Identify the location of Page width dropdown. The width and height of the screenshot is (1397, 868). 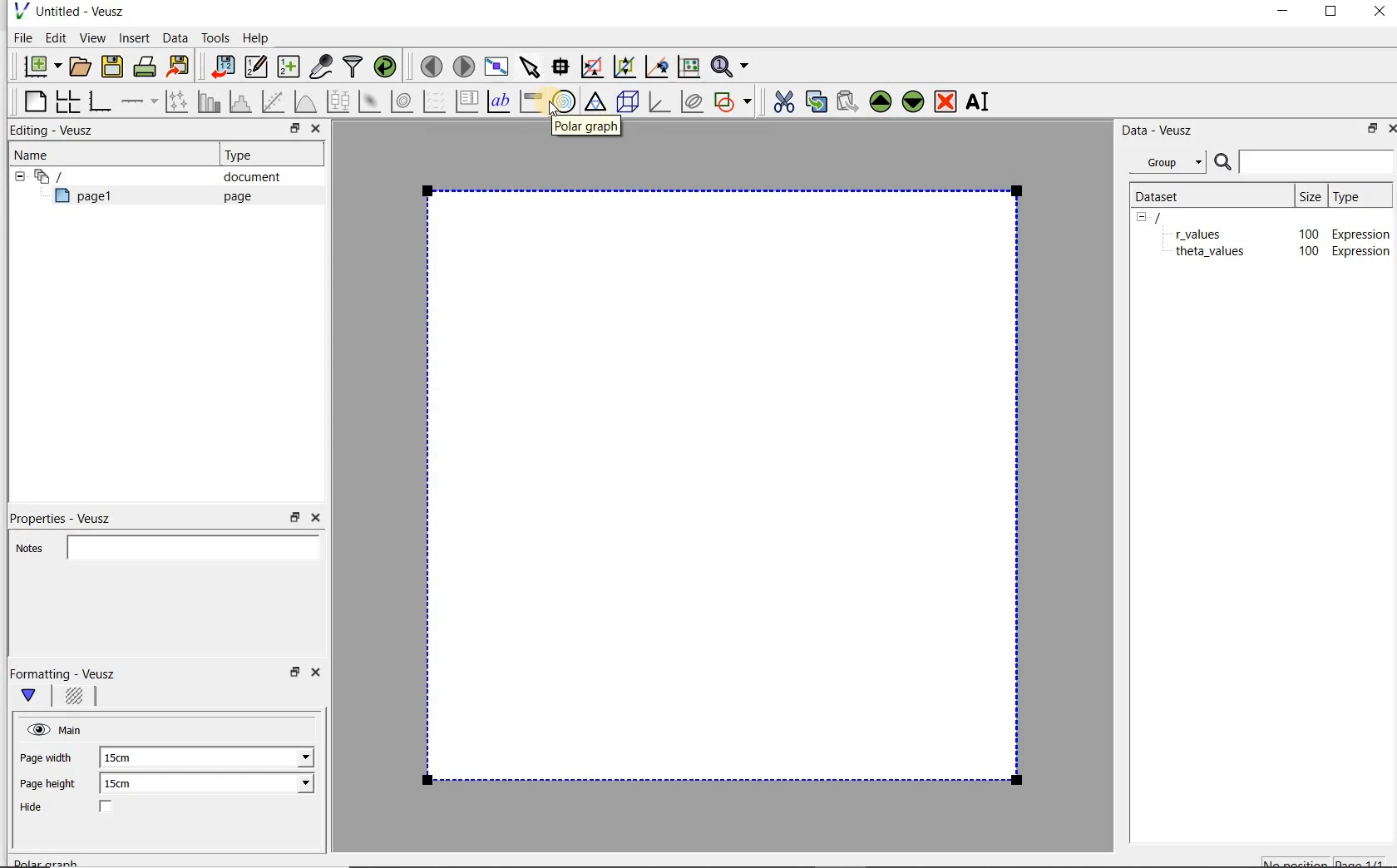
(287, 757).